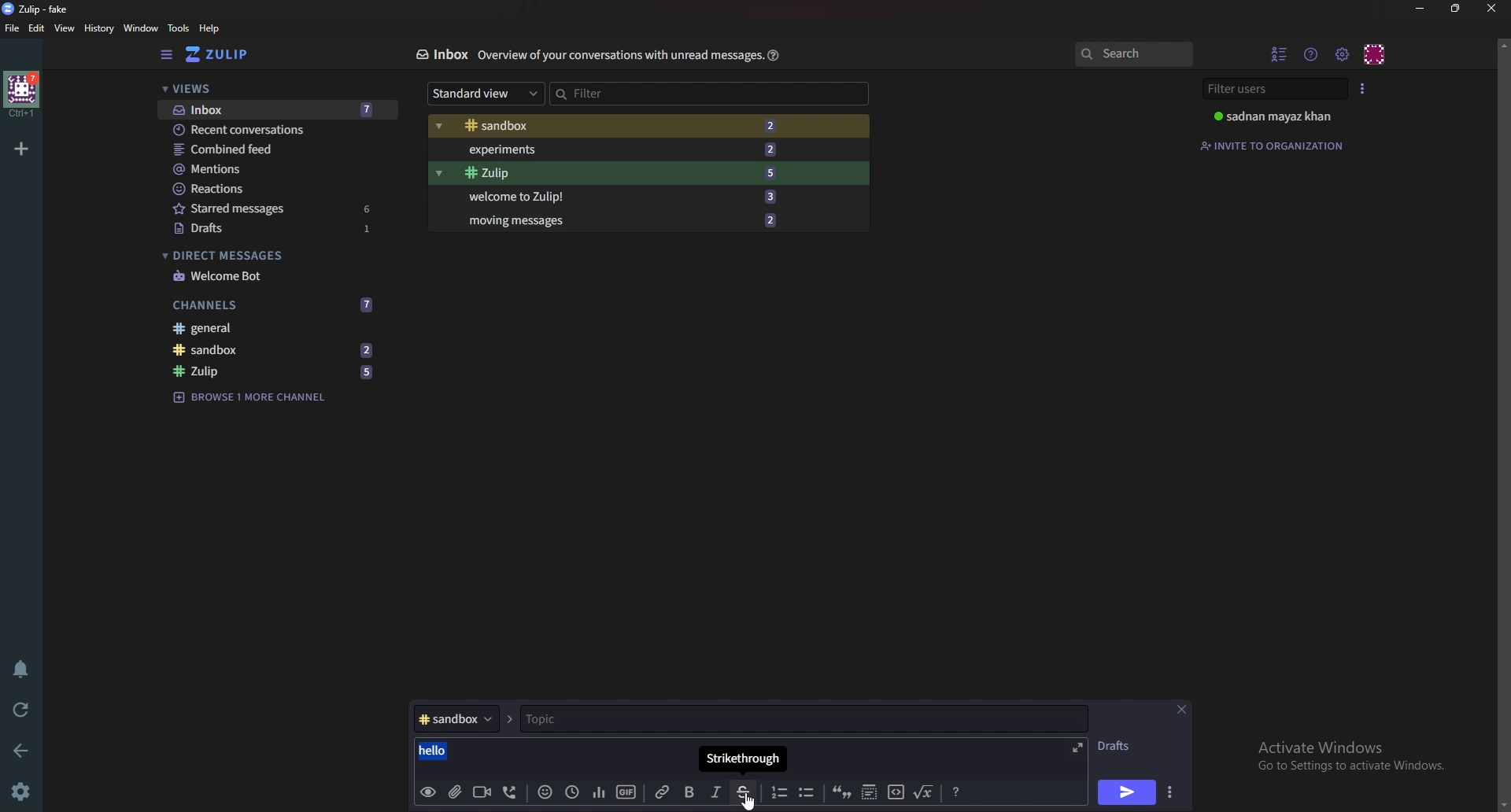 Image resolution: width=1511 pixels, height=812 pixels. What do you see at coordinates (21, 148) in the screenshot?
I see `Add organization` at bounding box center [21, 148].